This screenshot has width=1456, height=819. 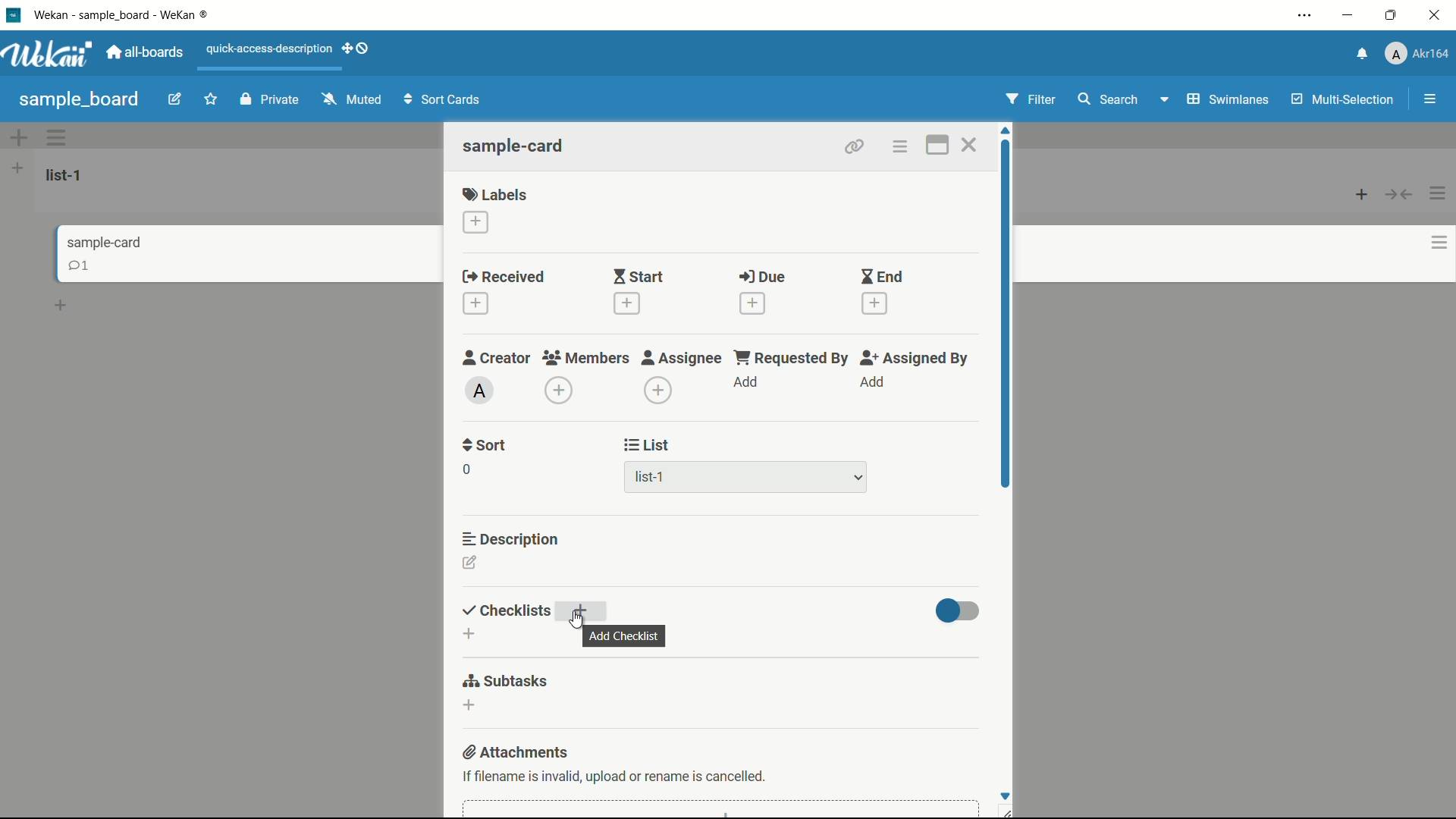 What do you see at coordinates (1418, 55) in the screenshot?
I see `profile` at bounding box center [1418, 55].